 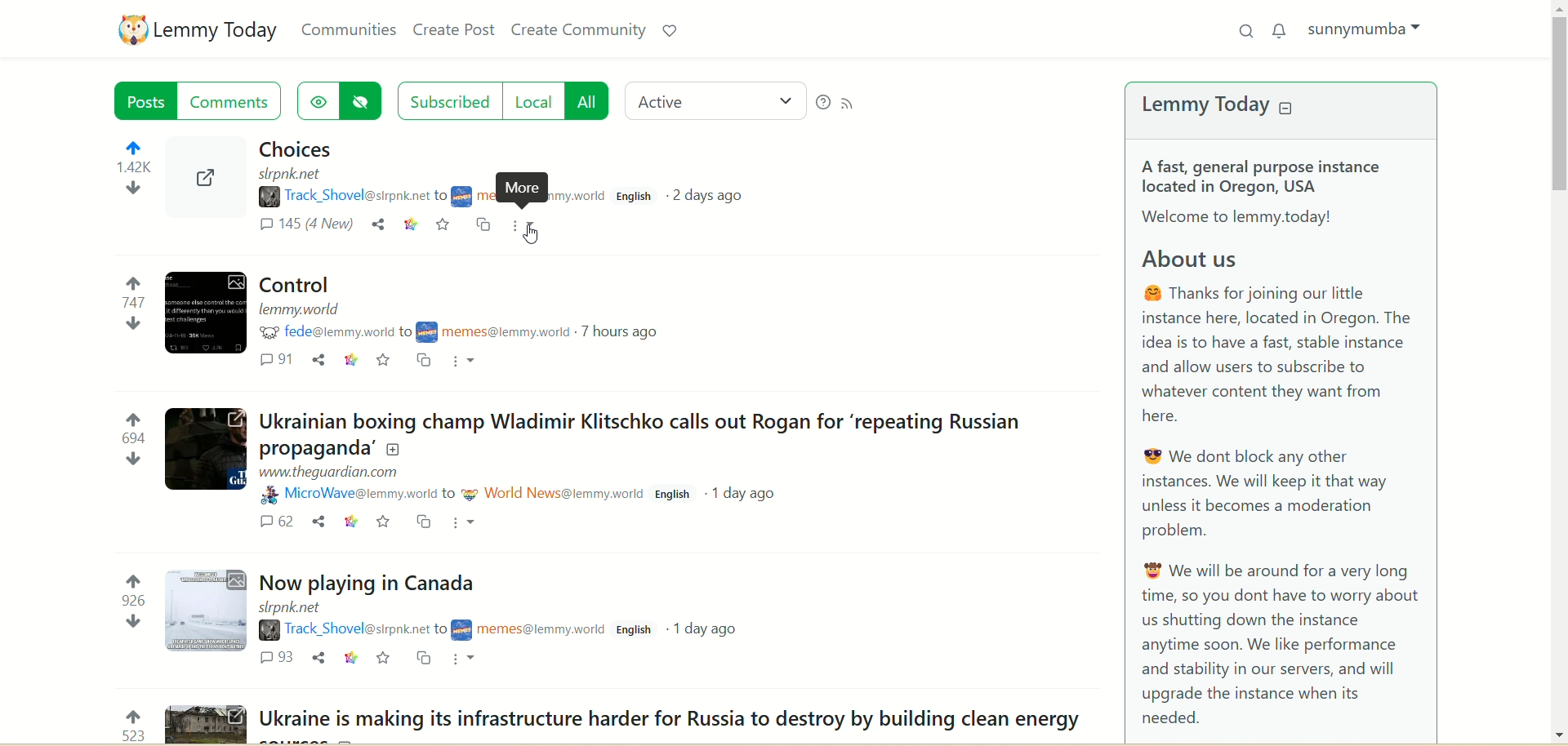 I want to click on vertical scroll bar, so click(x=1557, y=371).